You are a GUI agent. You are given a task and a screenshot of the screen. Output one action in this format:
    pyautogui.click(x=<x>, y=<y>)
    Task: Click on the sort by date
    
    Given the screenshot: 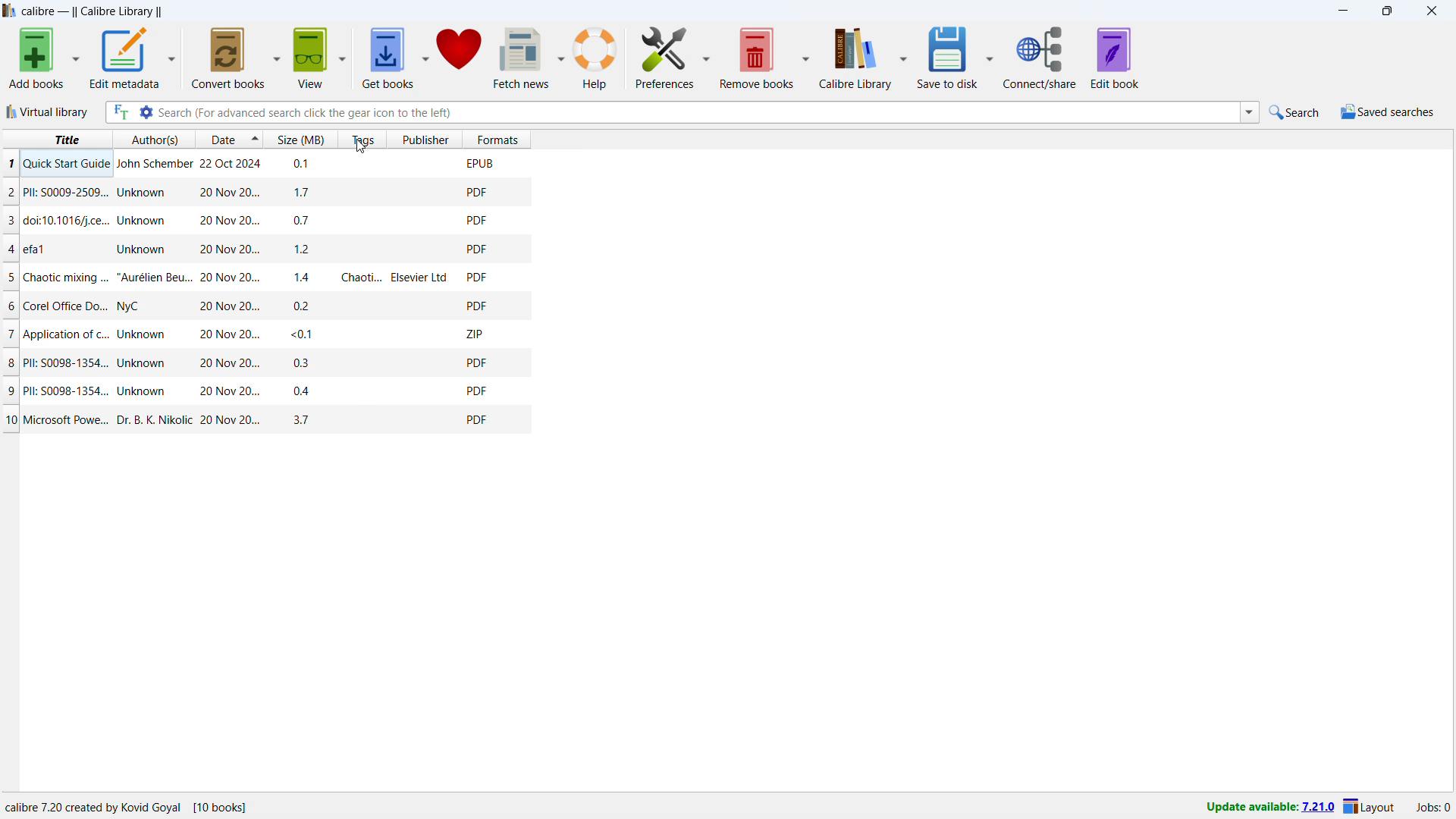 What is the action you would take?
    pyautogui.click(x=221, y=139)
    